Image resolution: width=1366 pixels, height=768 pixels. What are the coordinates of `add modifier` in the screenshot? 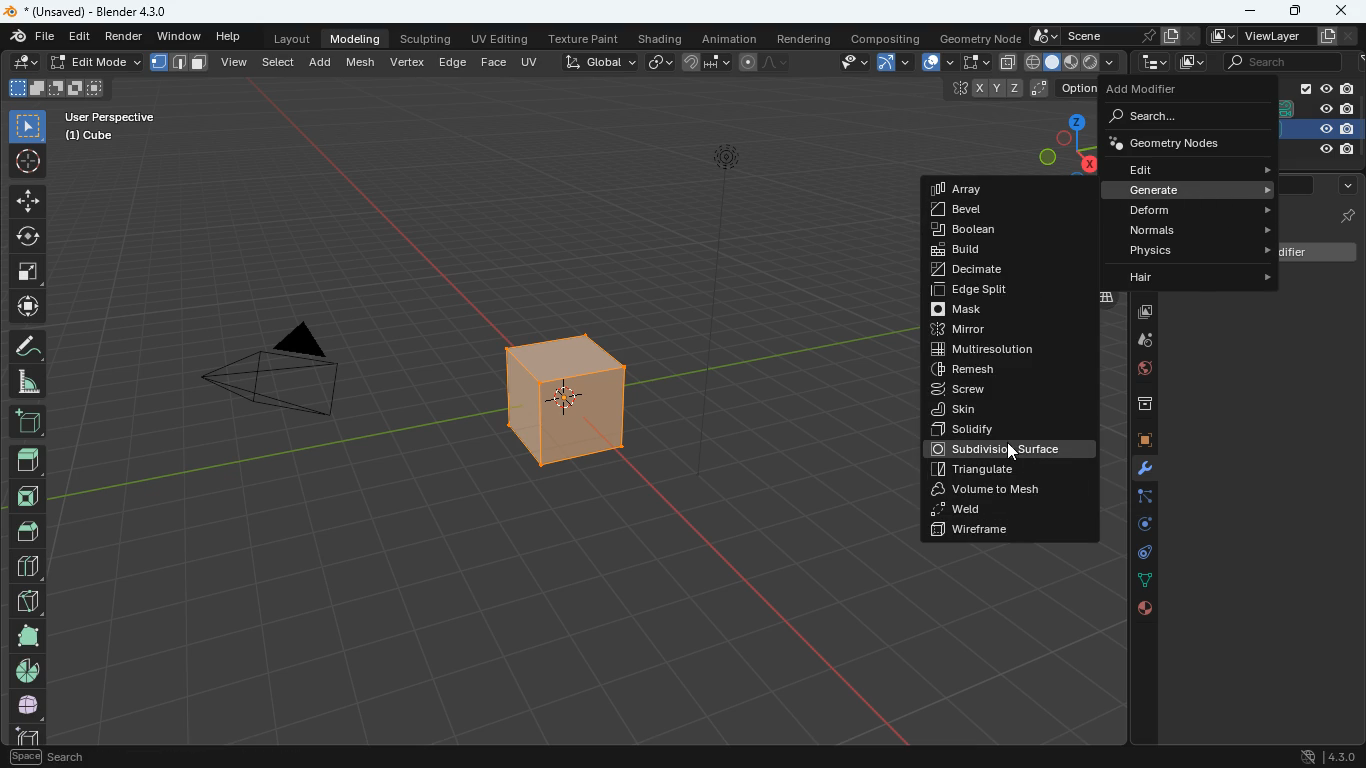 It's located at (1167, 89).